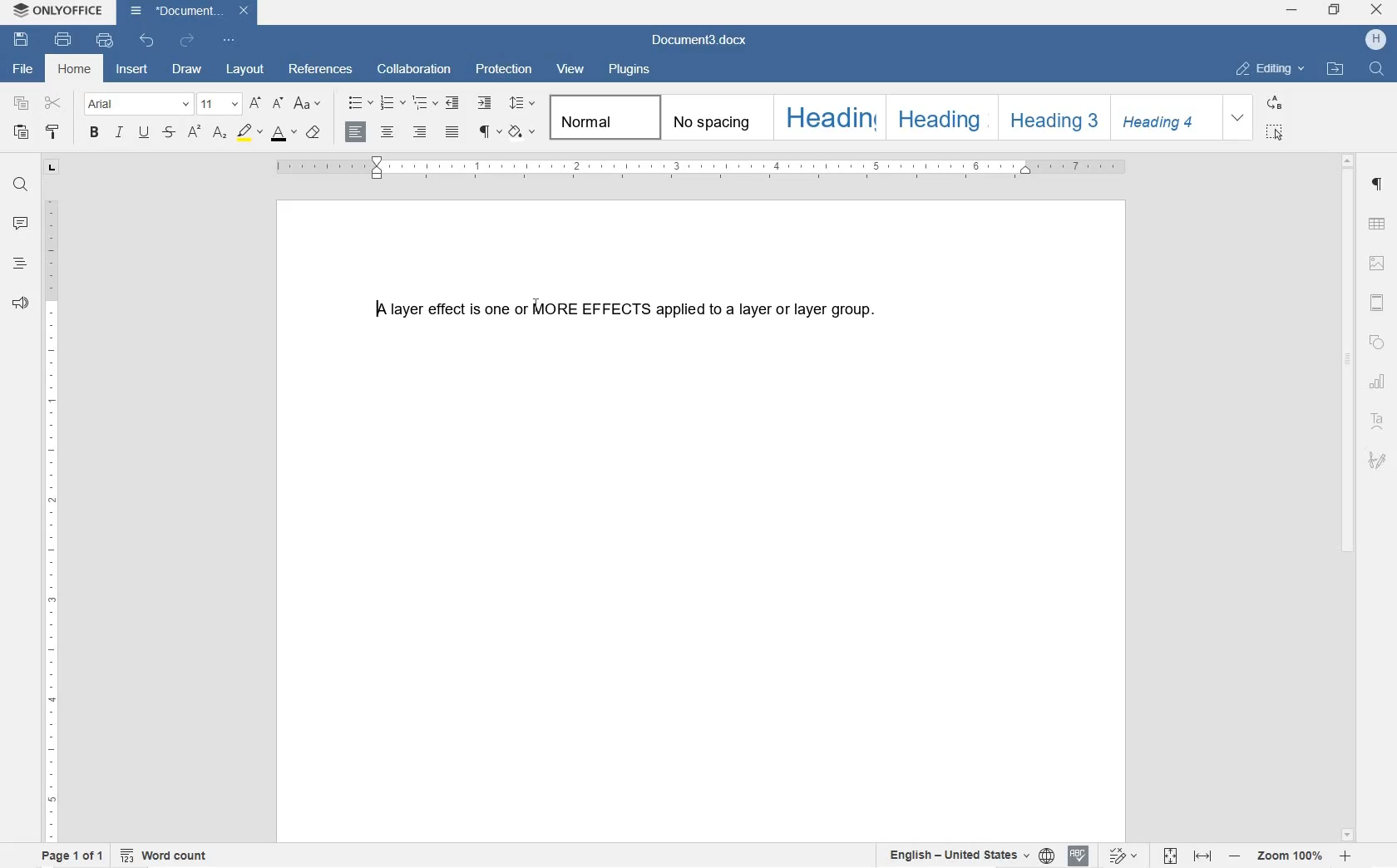 The width and height of the screenshot is (1397, 868). I want to click on FIND, so click(1375, 68).